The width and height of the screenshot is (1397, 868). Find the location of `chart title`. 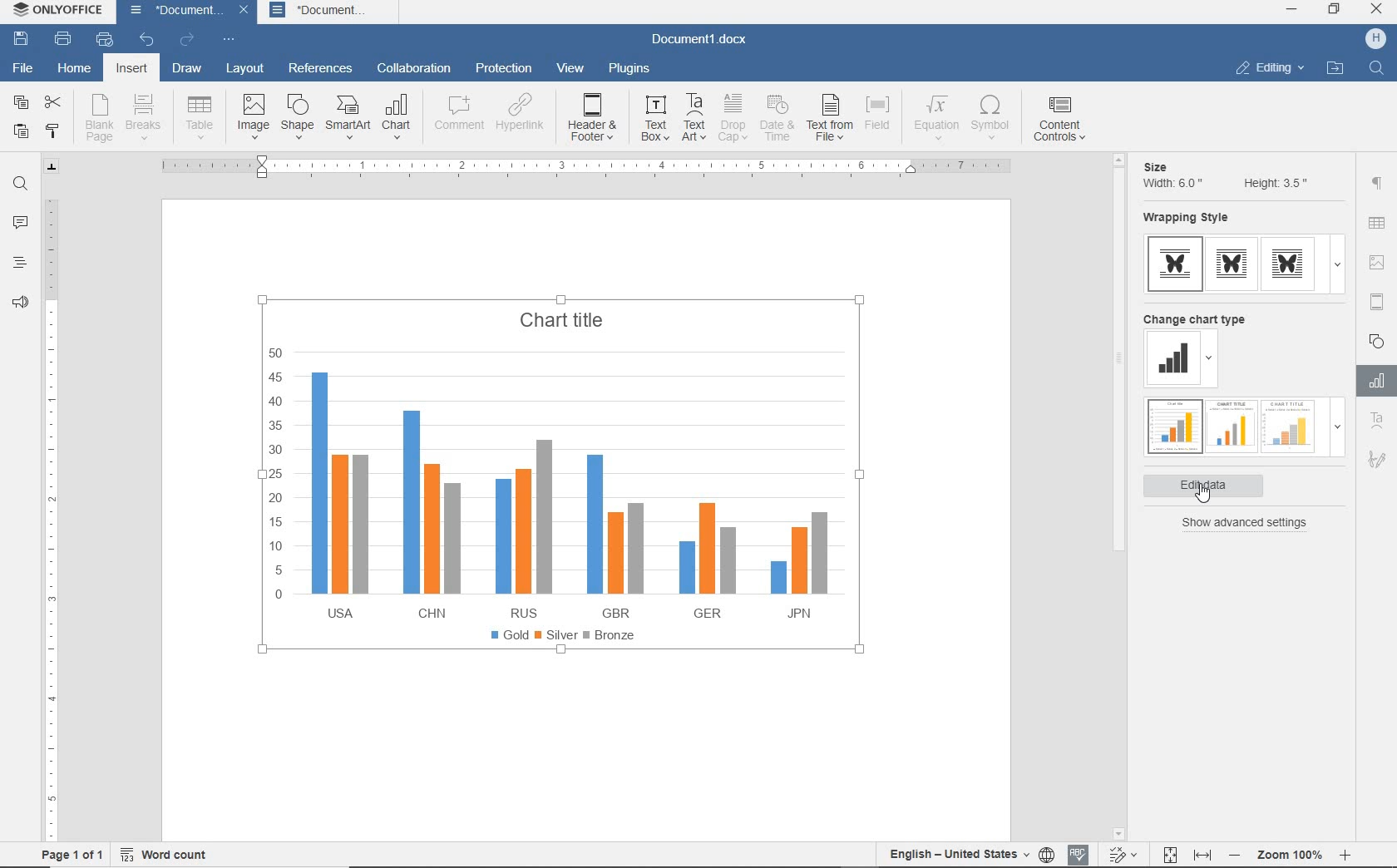

chart title is located at coordinates (567, 318).